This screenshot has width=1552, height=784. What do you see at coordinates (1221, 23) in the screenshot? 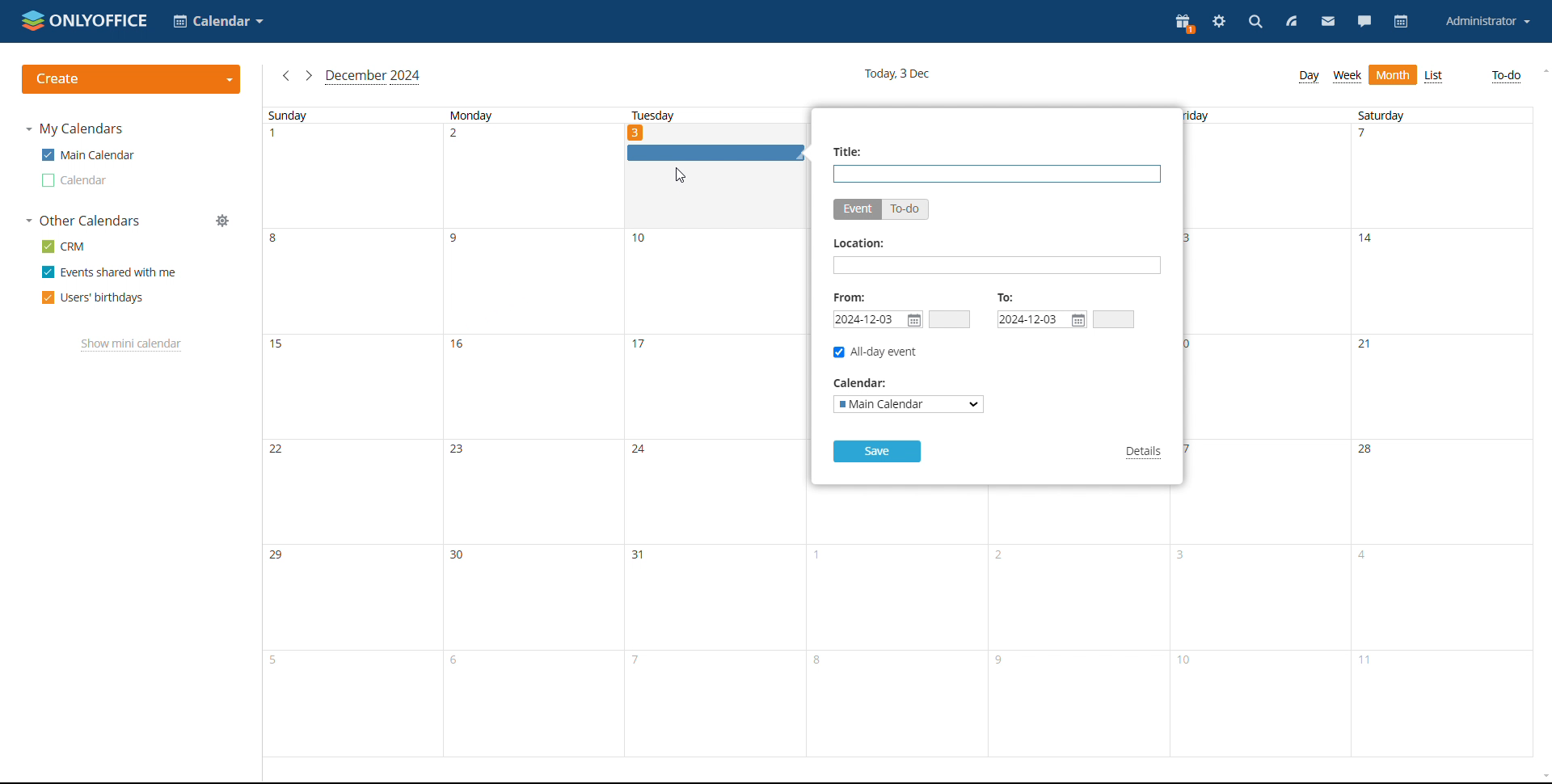
I see `settings` at bounding box center [1221, 23].